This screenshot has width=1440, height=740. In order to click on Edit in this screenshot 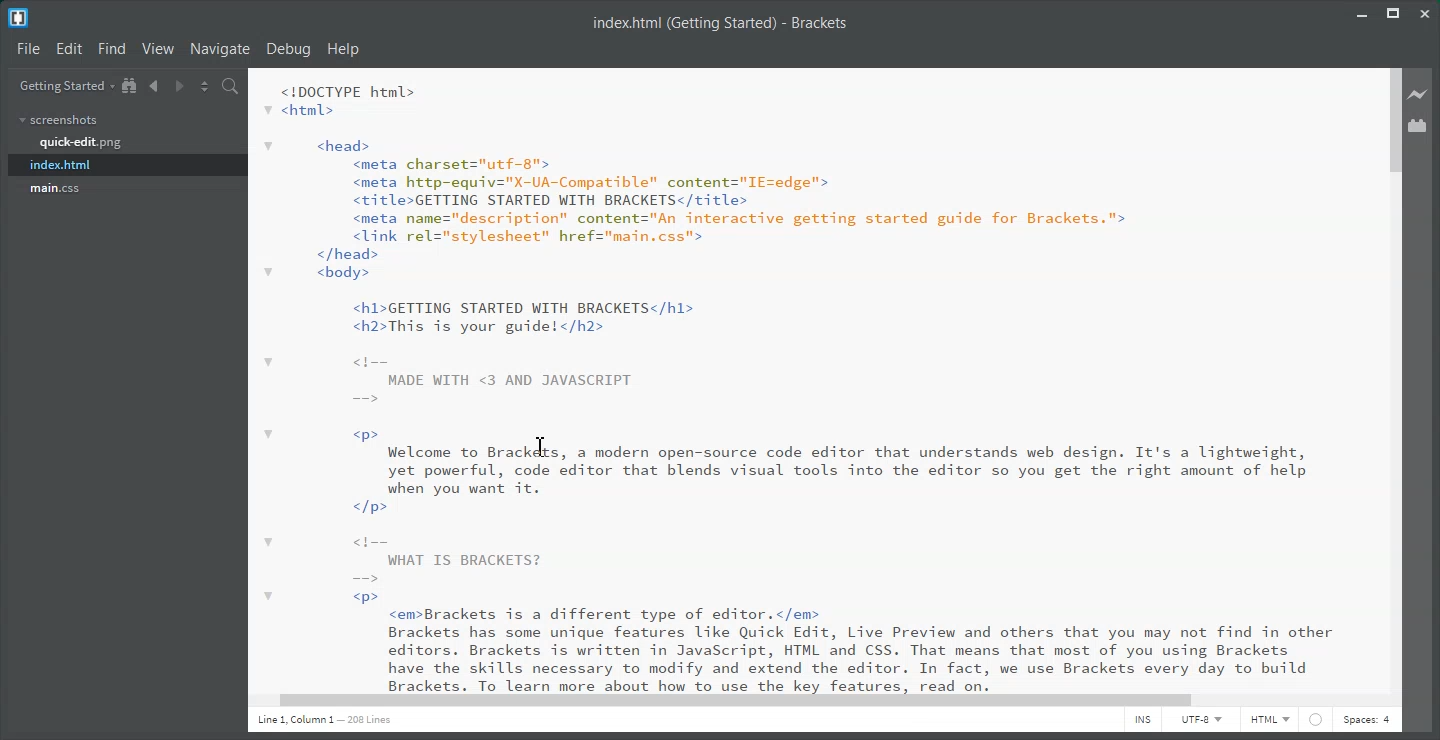, I will do `click(69, 49)`.